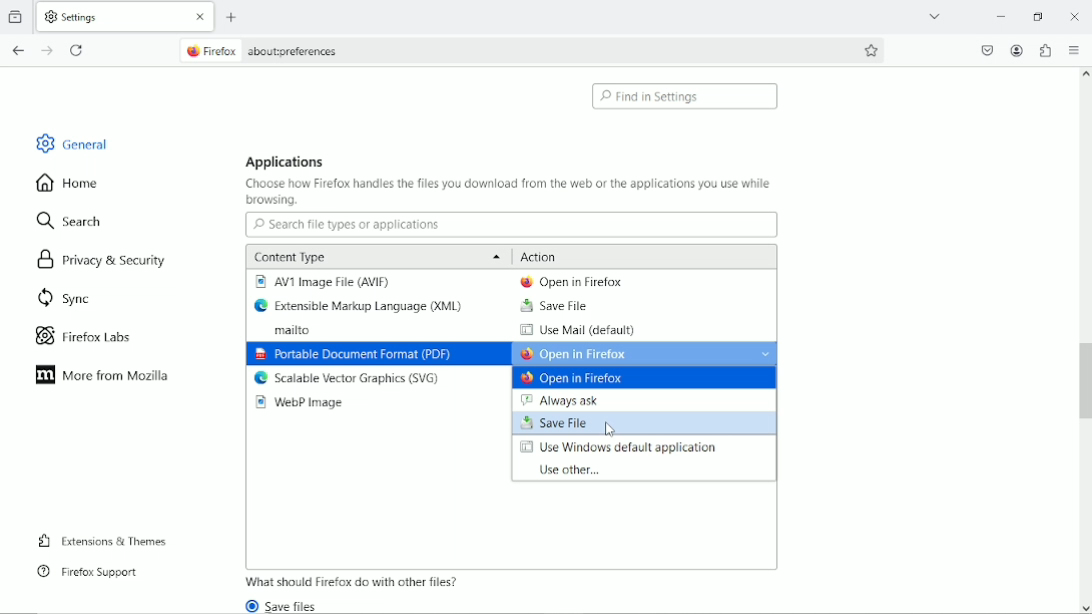 This screenshot has height=614, width=1092. Describe the element at coordinates (1083, 383) in the screenshot. I see `Vertical scrollbar` at that location.